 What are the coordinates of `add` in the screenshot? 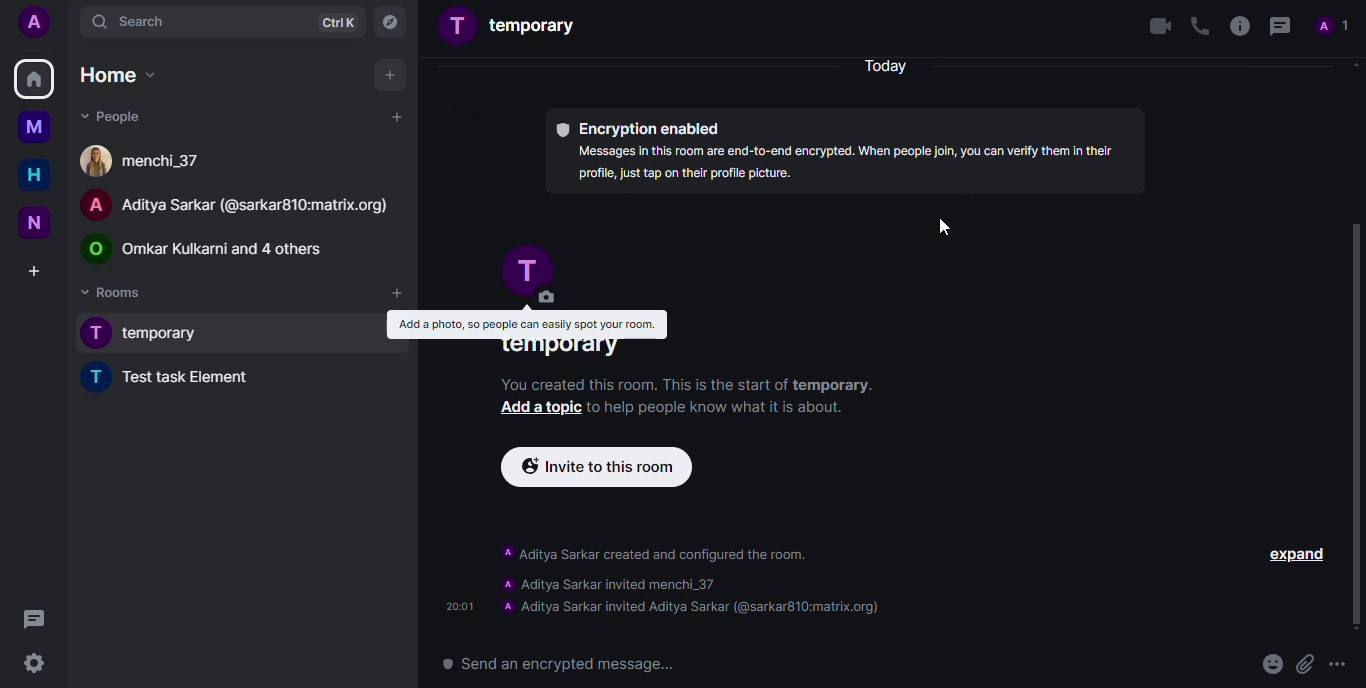 It's located at (391, 73).